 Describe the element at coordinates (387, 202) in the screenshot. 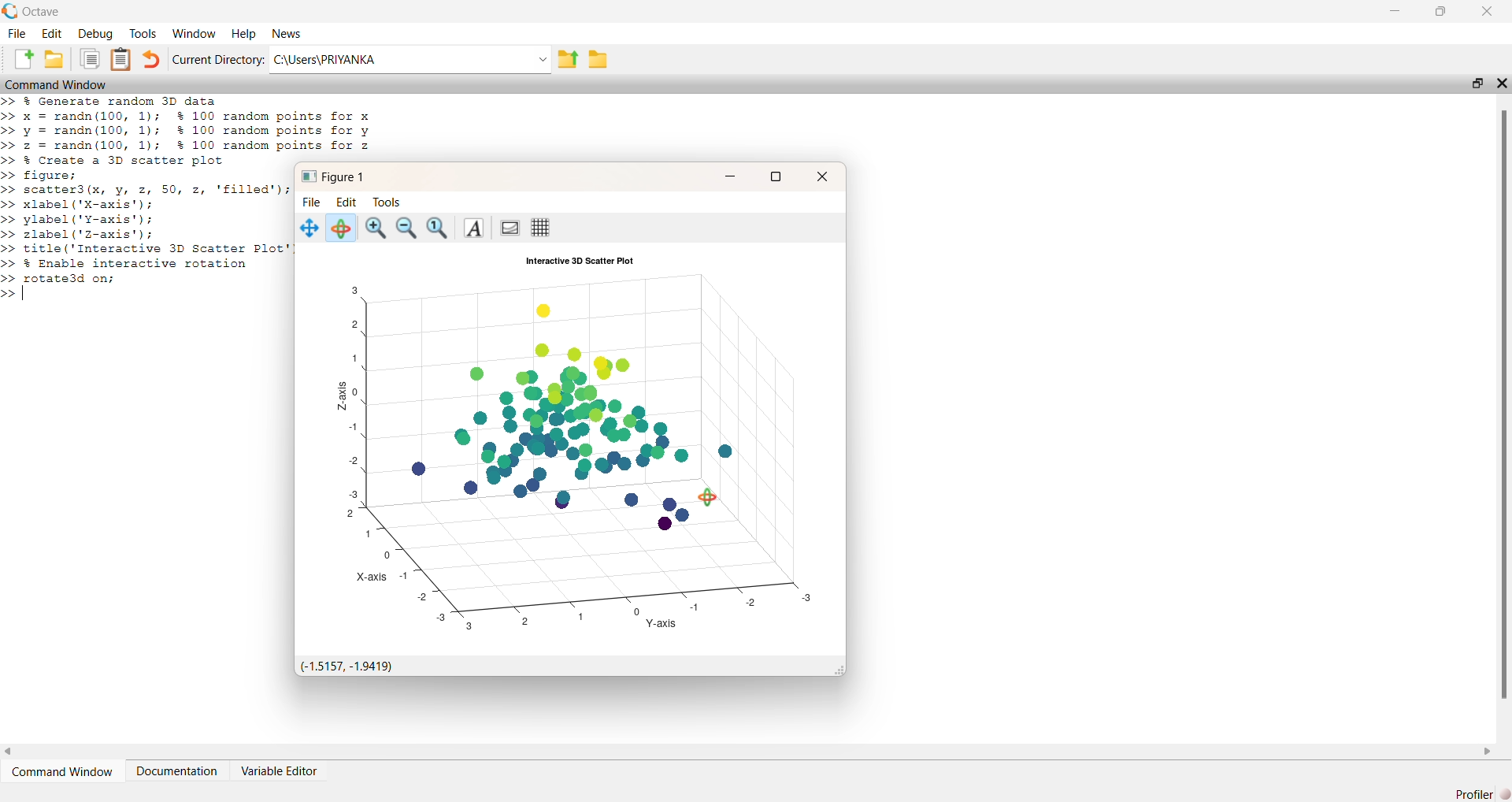

I see `Tools` at that location.